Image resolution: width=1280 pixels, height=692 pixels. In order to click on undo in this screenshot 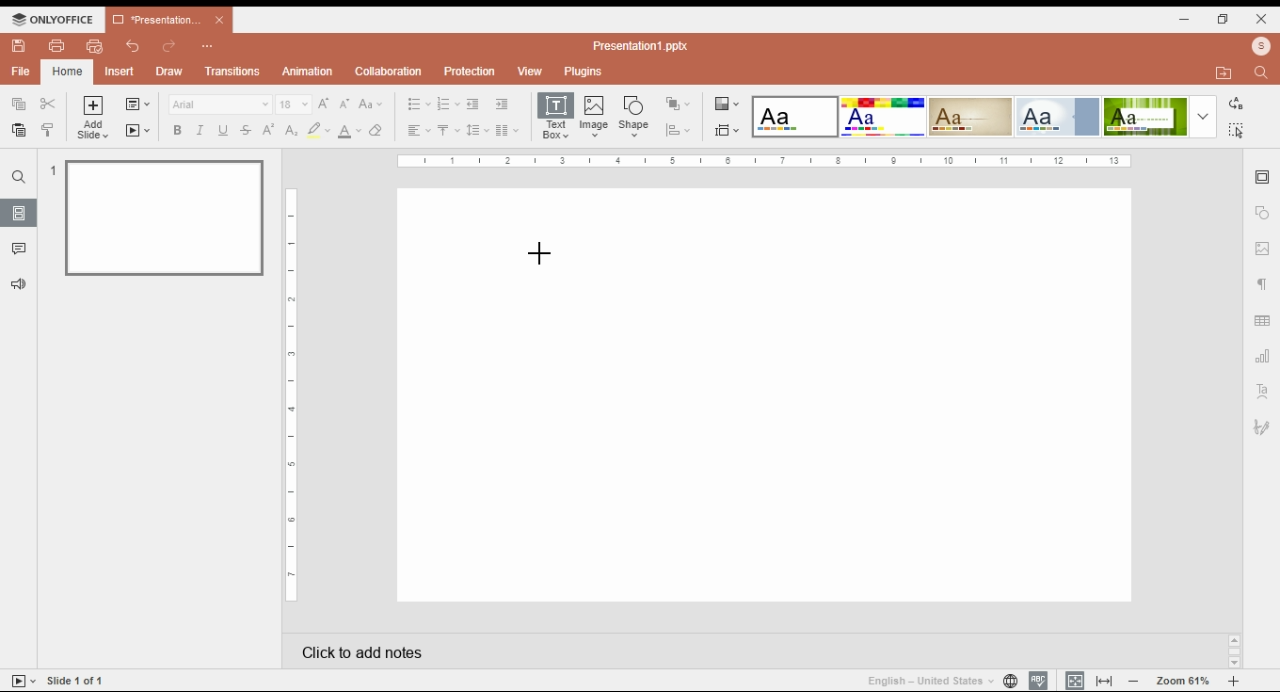, I will do `click(135, 47)`.